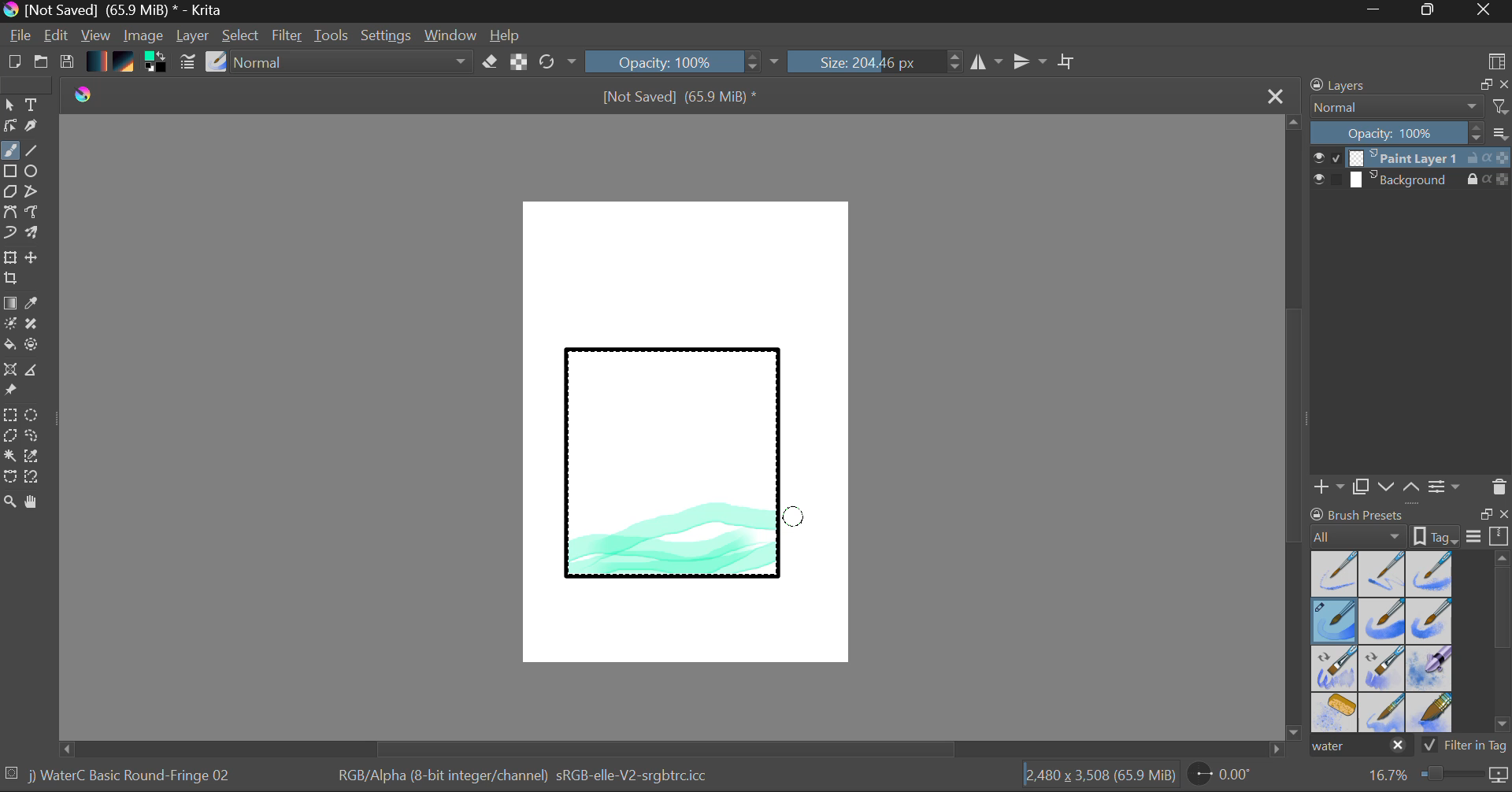 This screenshot has width=1512, height=792. I want to click on Layer 1, so click(1412, 160).